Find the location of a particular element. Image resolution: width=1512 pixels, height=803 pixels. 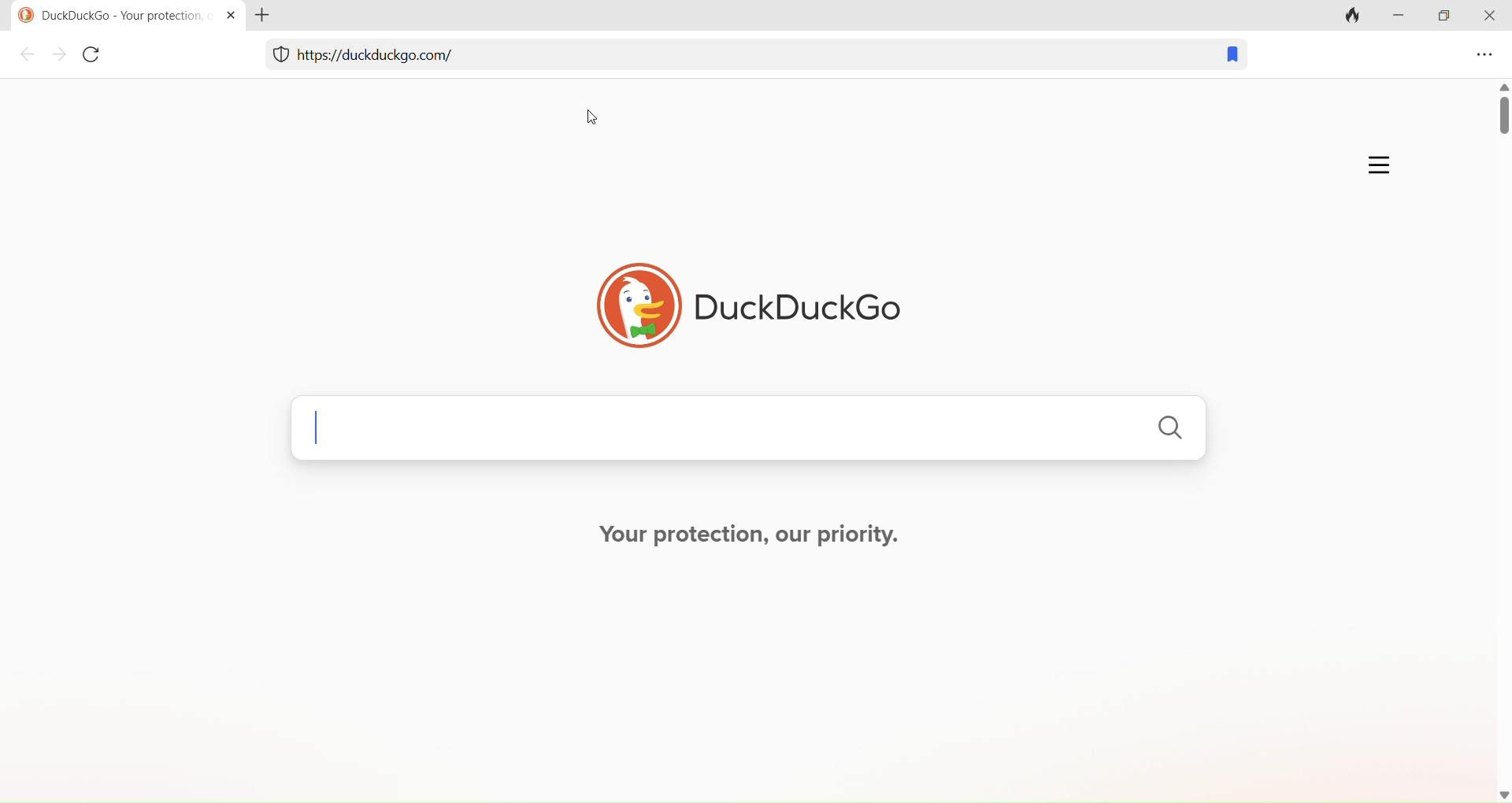

© DuckDuckGo - Your protection is located at coordinates (108, 16).